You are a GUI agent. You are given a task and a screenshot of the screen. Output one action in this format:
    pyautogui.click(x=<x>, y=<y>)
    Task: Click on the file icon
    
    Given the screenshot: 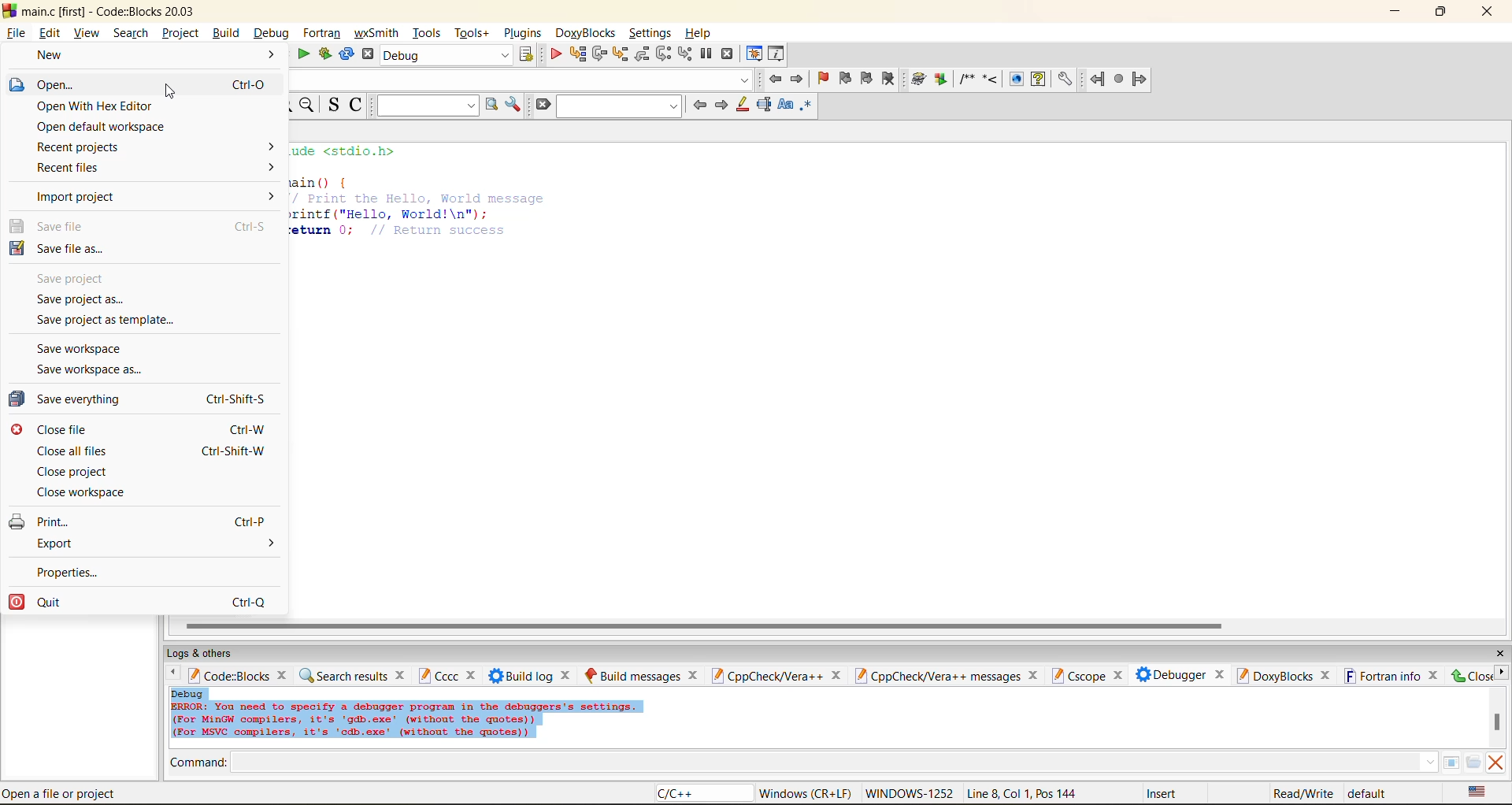 What is the action you would take?
    pyautogui.click(x=16, y=84)
    